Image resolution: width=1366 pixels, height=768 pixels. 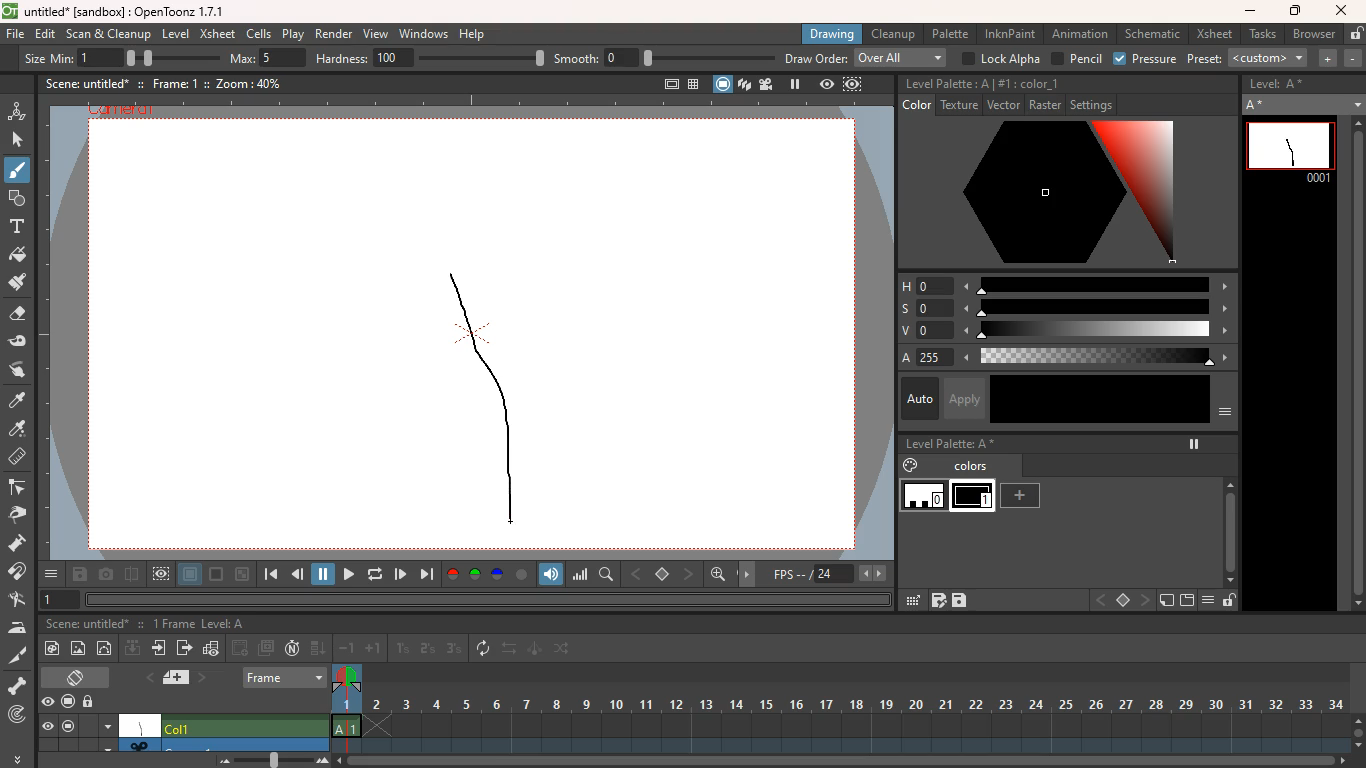 What do you see at coordinates (79, 676) in the screenshot?
I see `screen` at bounding box center [79, 676].